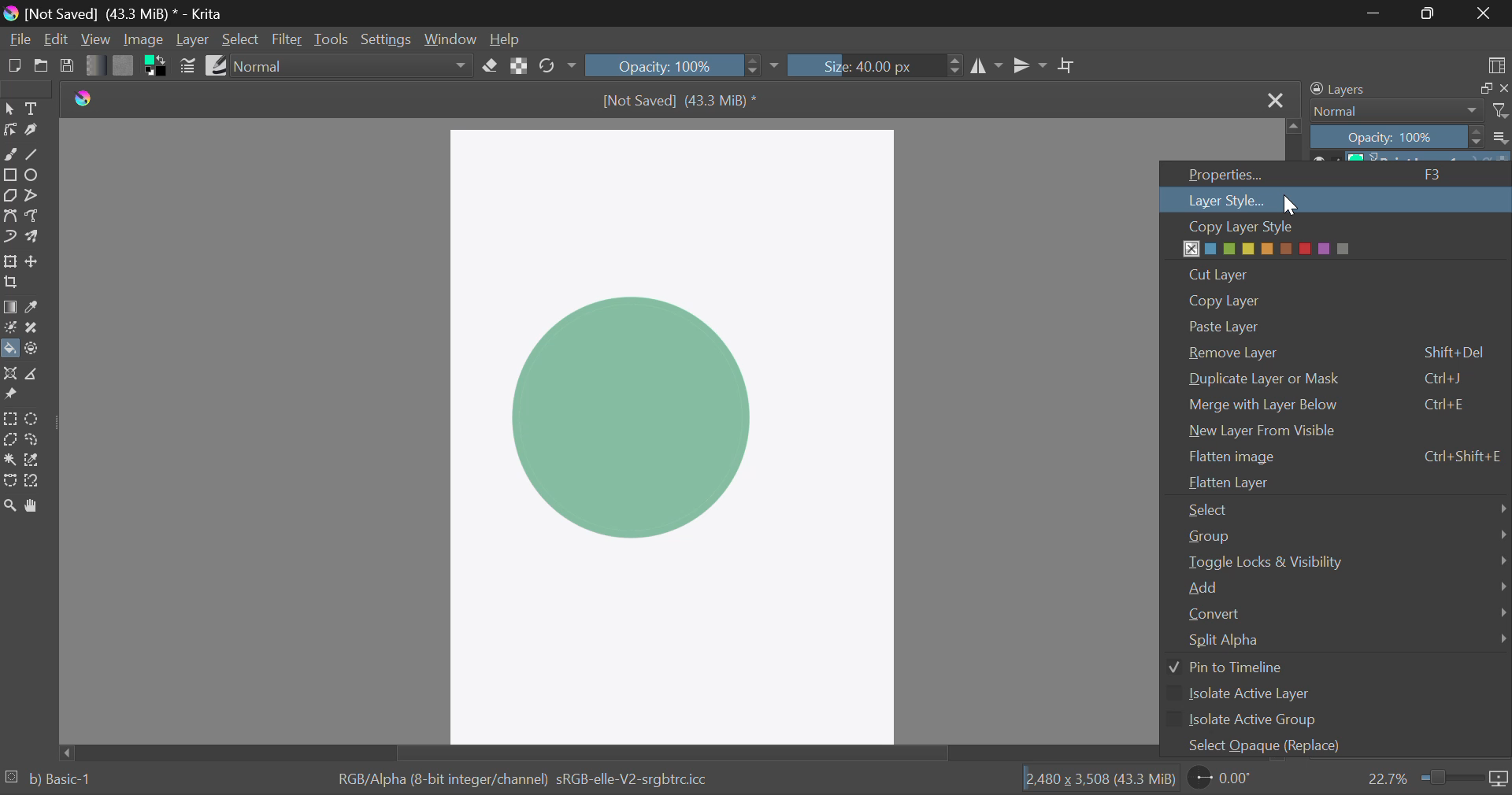 This screenshot has height=795, width=1512. Describe the element at coordinates (19, 42) in the screenshot. I see `File` at that location.